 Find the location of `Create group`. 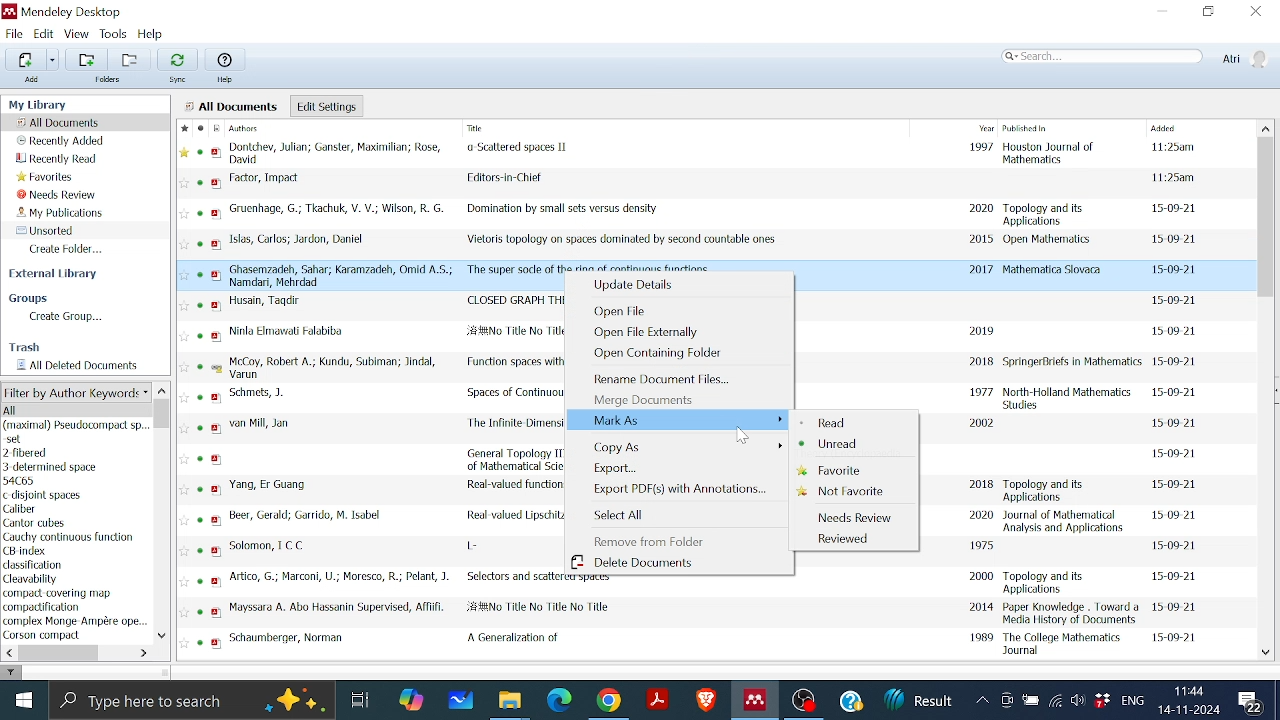

Create group is located at coordinates (63, 318).